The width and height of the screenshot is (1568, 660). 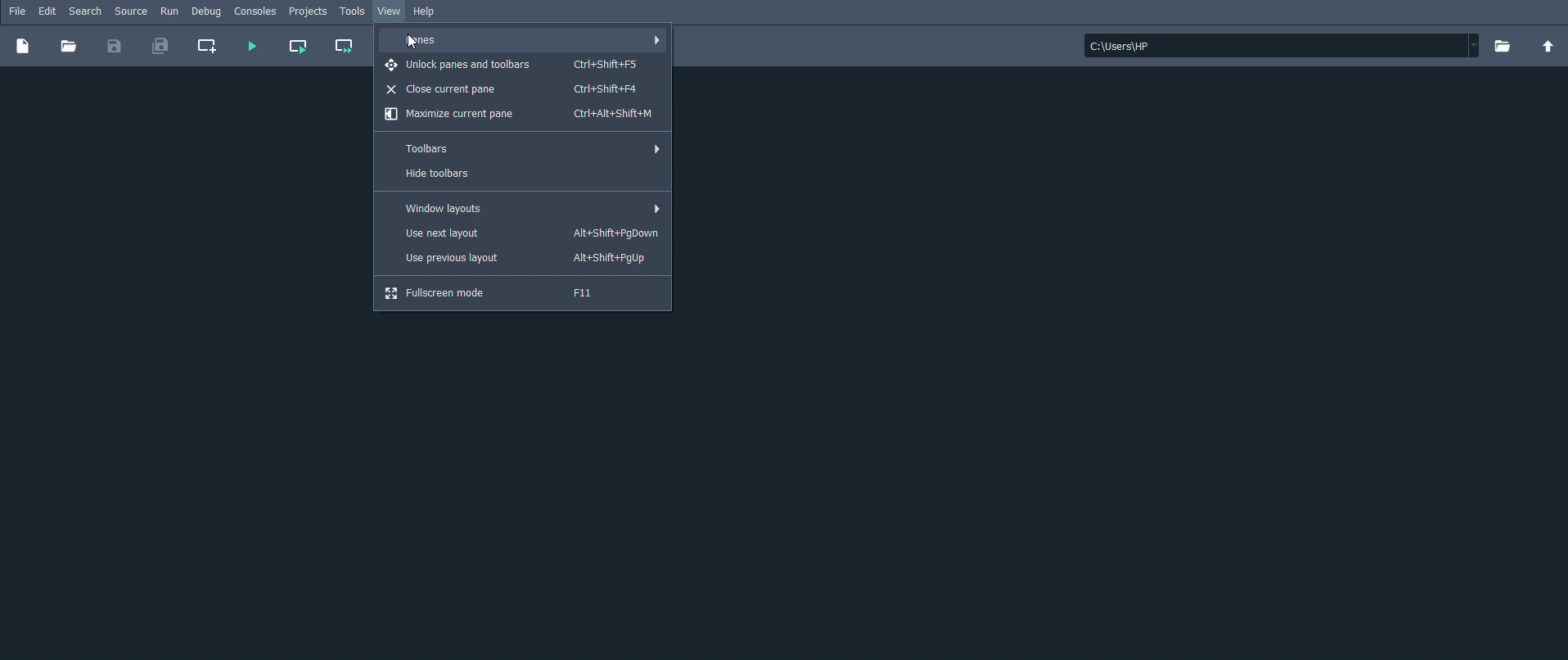 I want to click on Maximize current pane, so click(x=522, y=114).